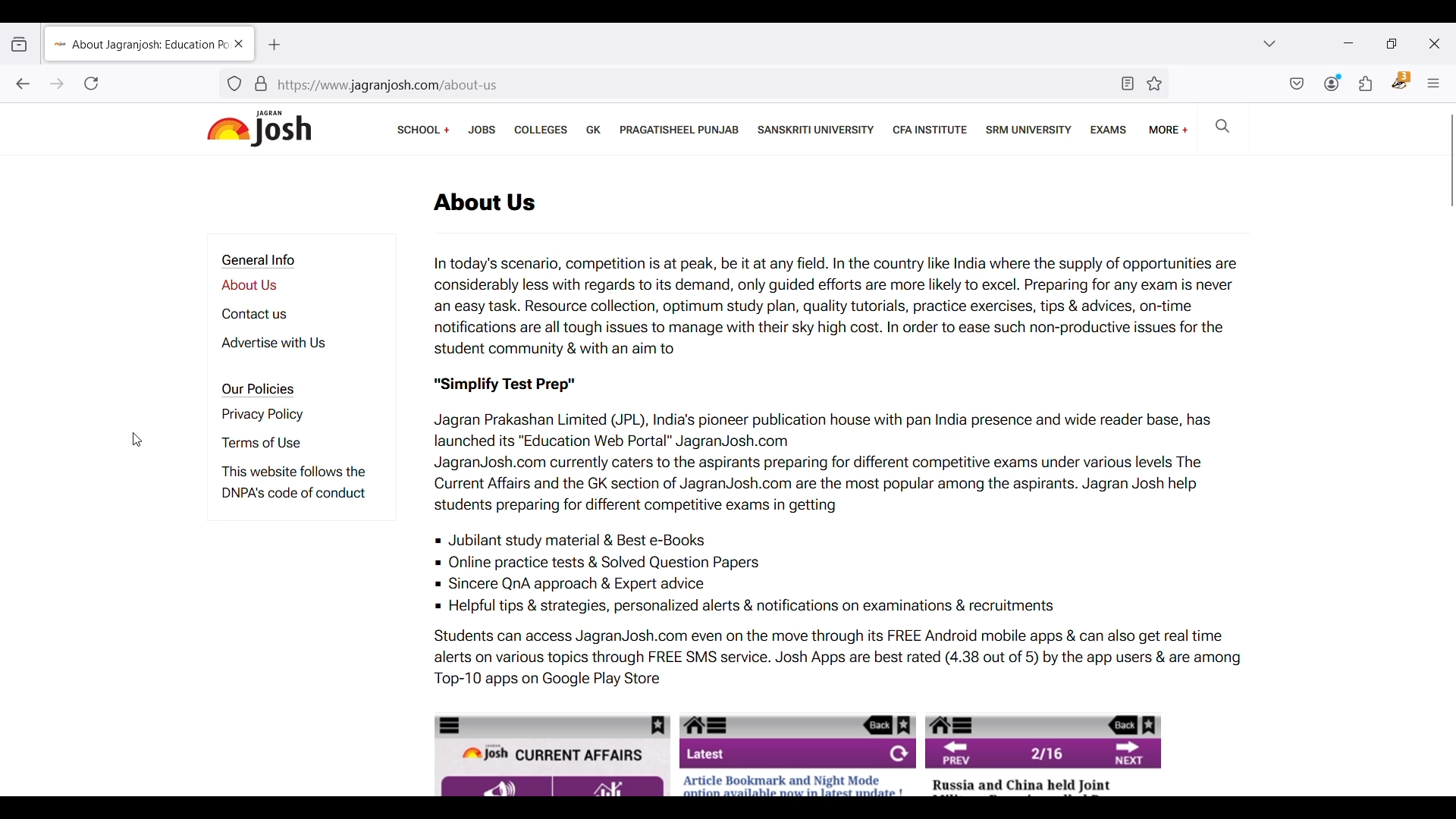  What do you see at coordinates (259, 390) in the screenshot?
I see `Section title - Our Policies` at bounding box center [259, 390].